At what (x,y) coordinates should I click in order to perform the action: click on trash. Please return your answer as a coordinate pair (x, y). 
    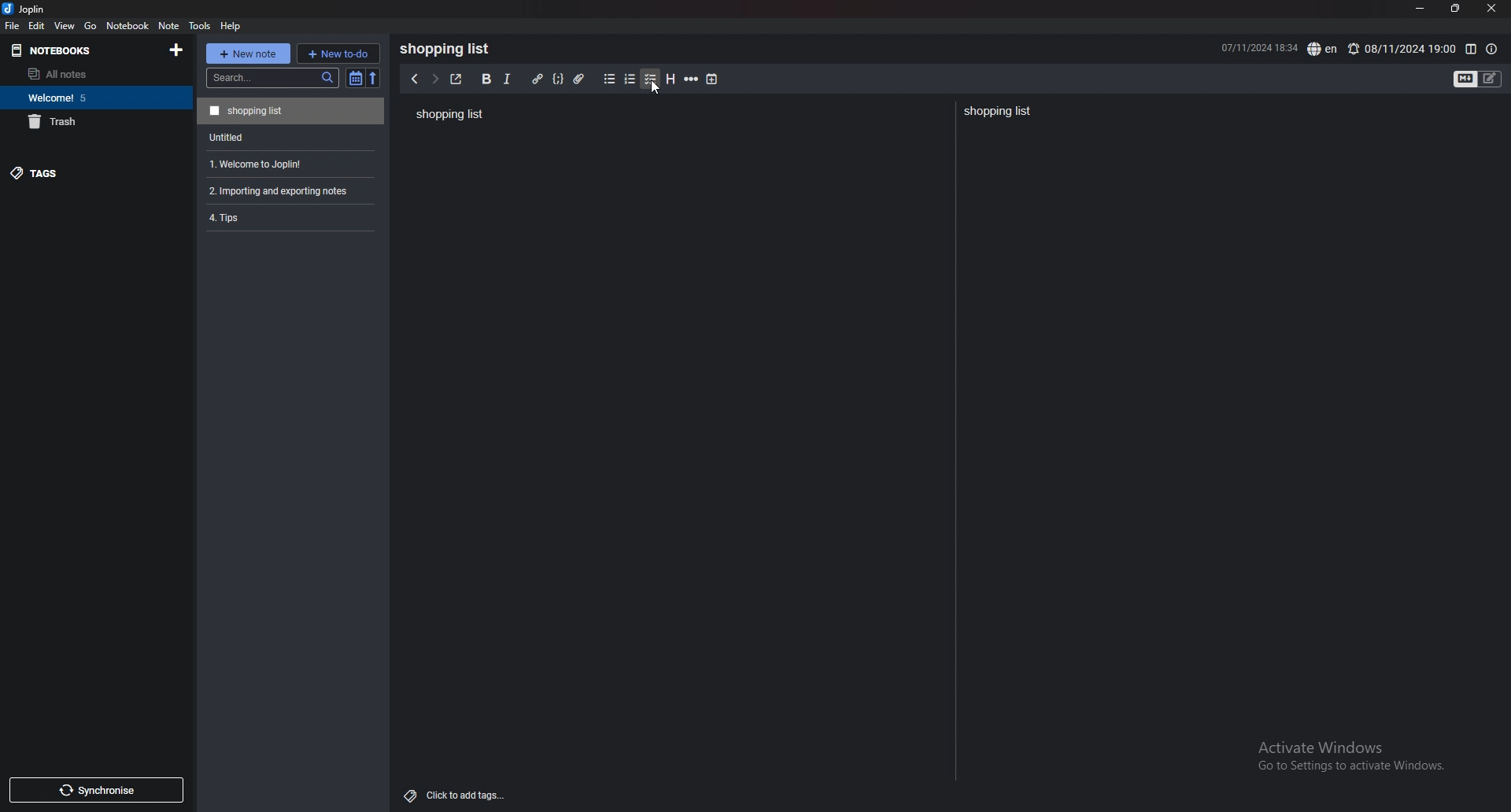
    Looking at the image, I should click on (93, 121).